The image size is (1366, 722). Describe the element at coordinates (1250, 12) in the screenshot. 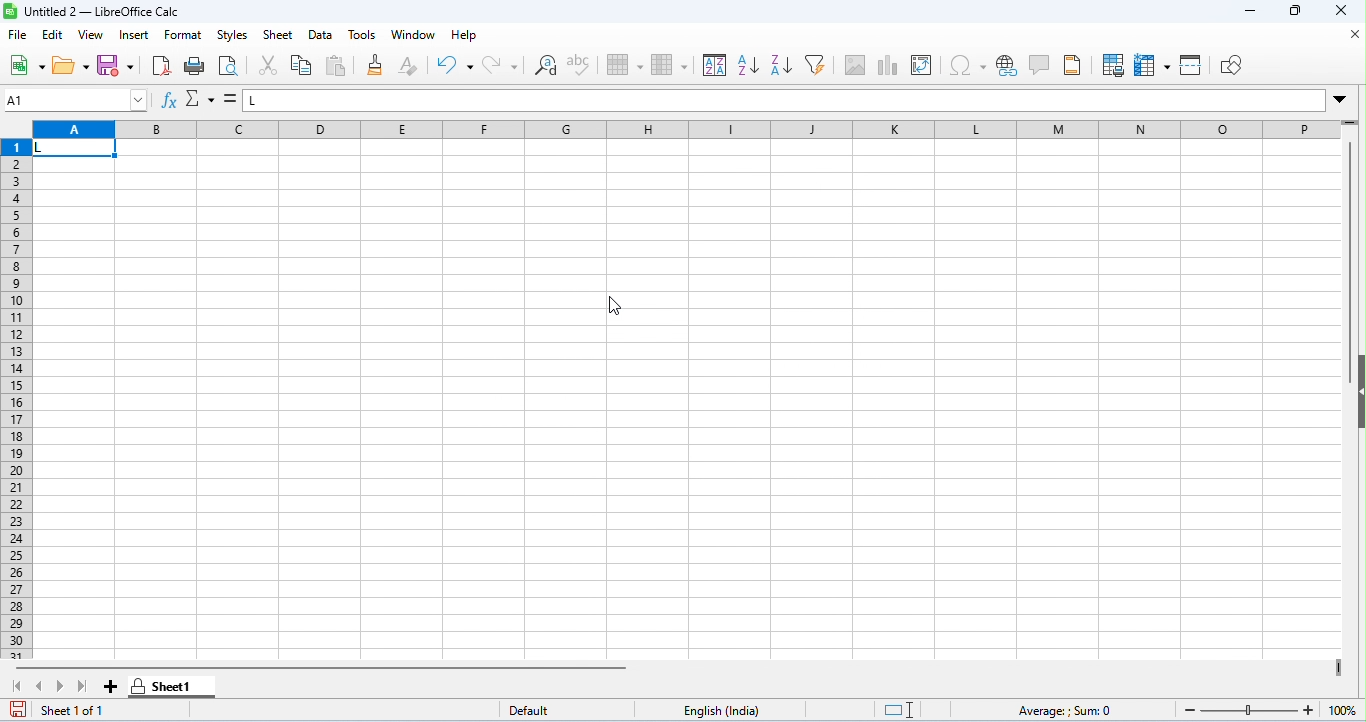

I see `minimize` at that location.